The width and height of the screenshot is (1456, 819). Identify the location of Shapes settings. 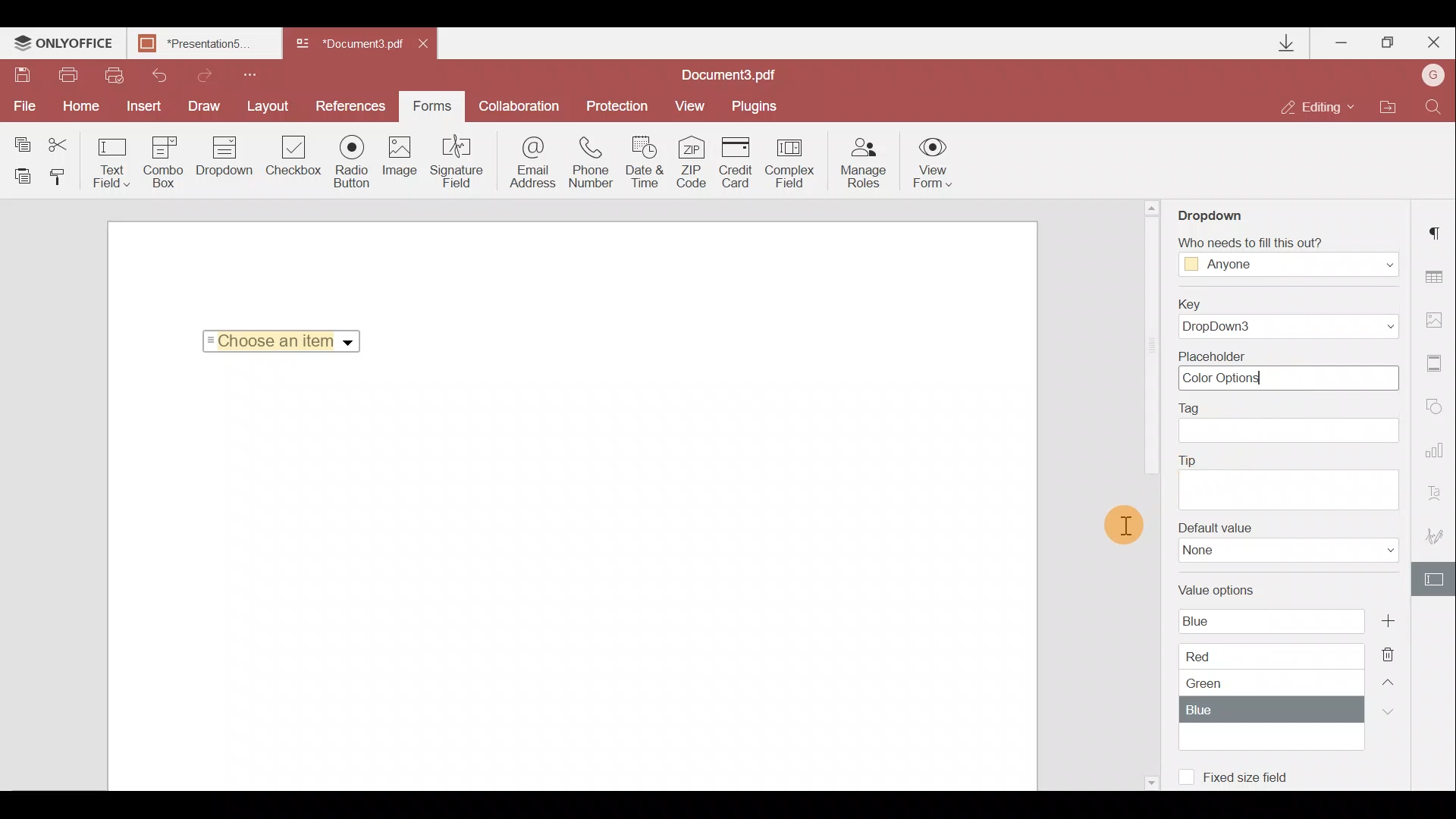
(1439, 408).